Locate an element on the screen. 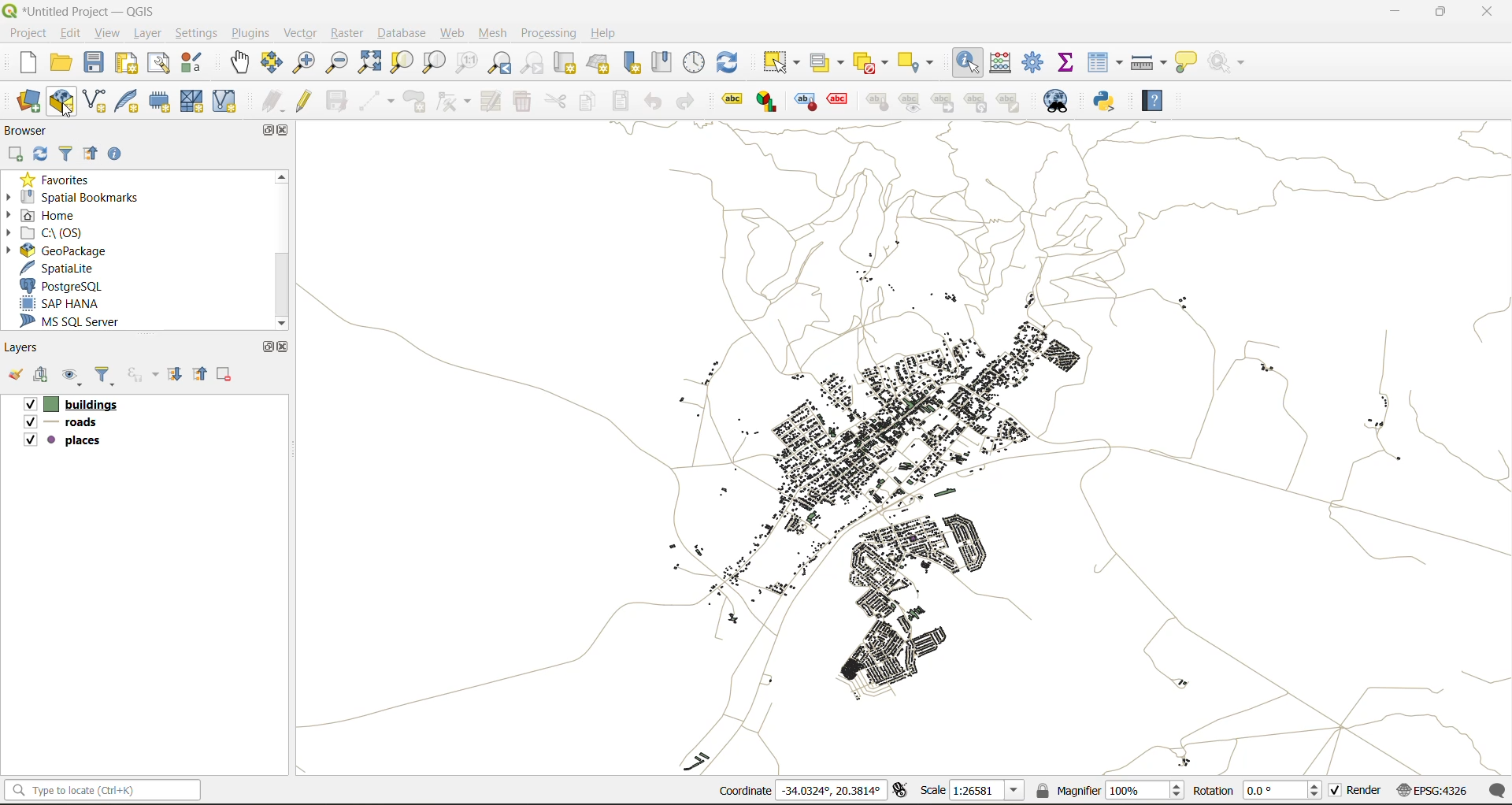 Image resolution: width=1512 pixels, height=805 pixels. temporary scratch layer is located at coordinates (161, 102).